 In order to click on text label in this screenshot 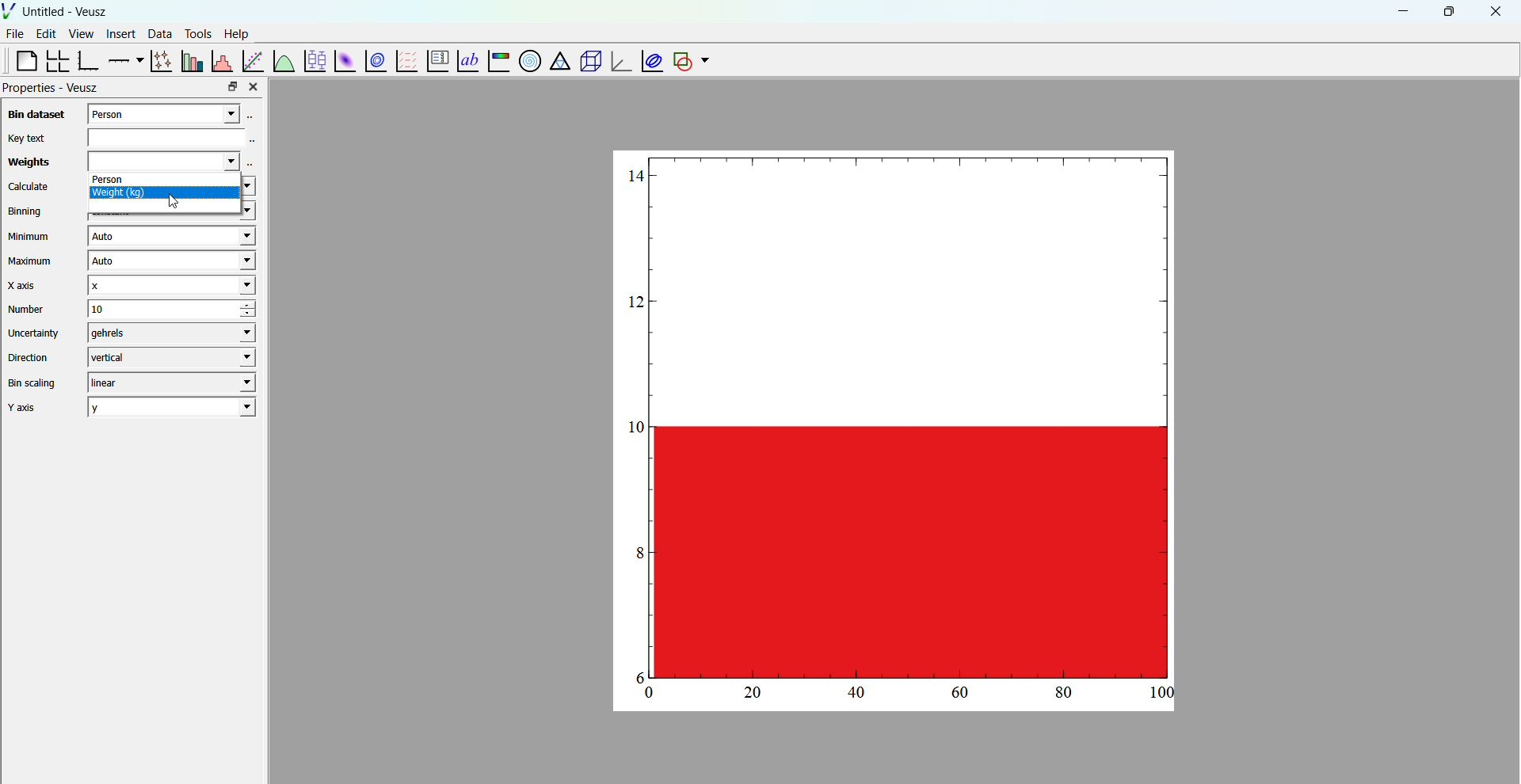, I will do `click(466, 59)`.